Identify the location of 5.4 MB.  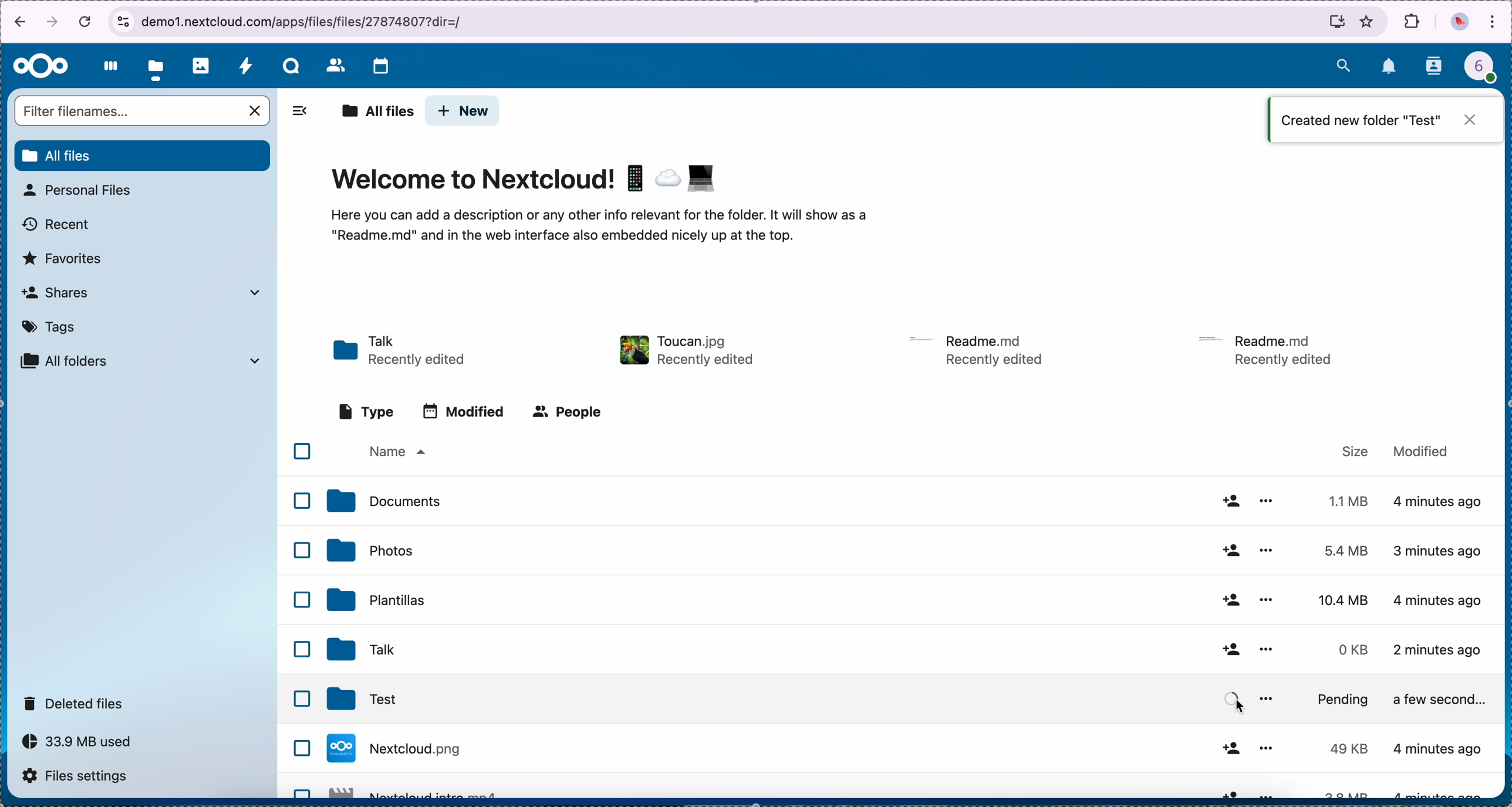
(1337, 551).